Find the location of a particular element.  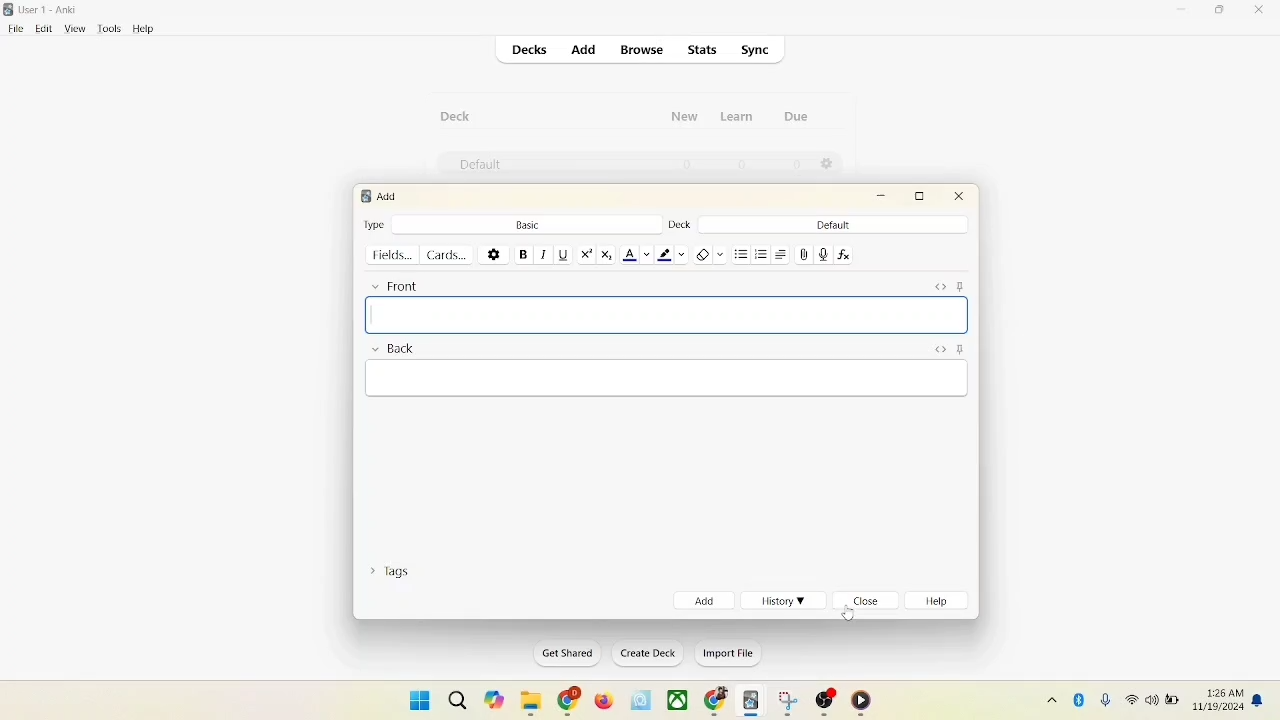

 is located at coordinates (689, 166).